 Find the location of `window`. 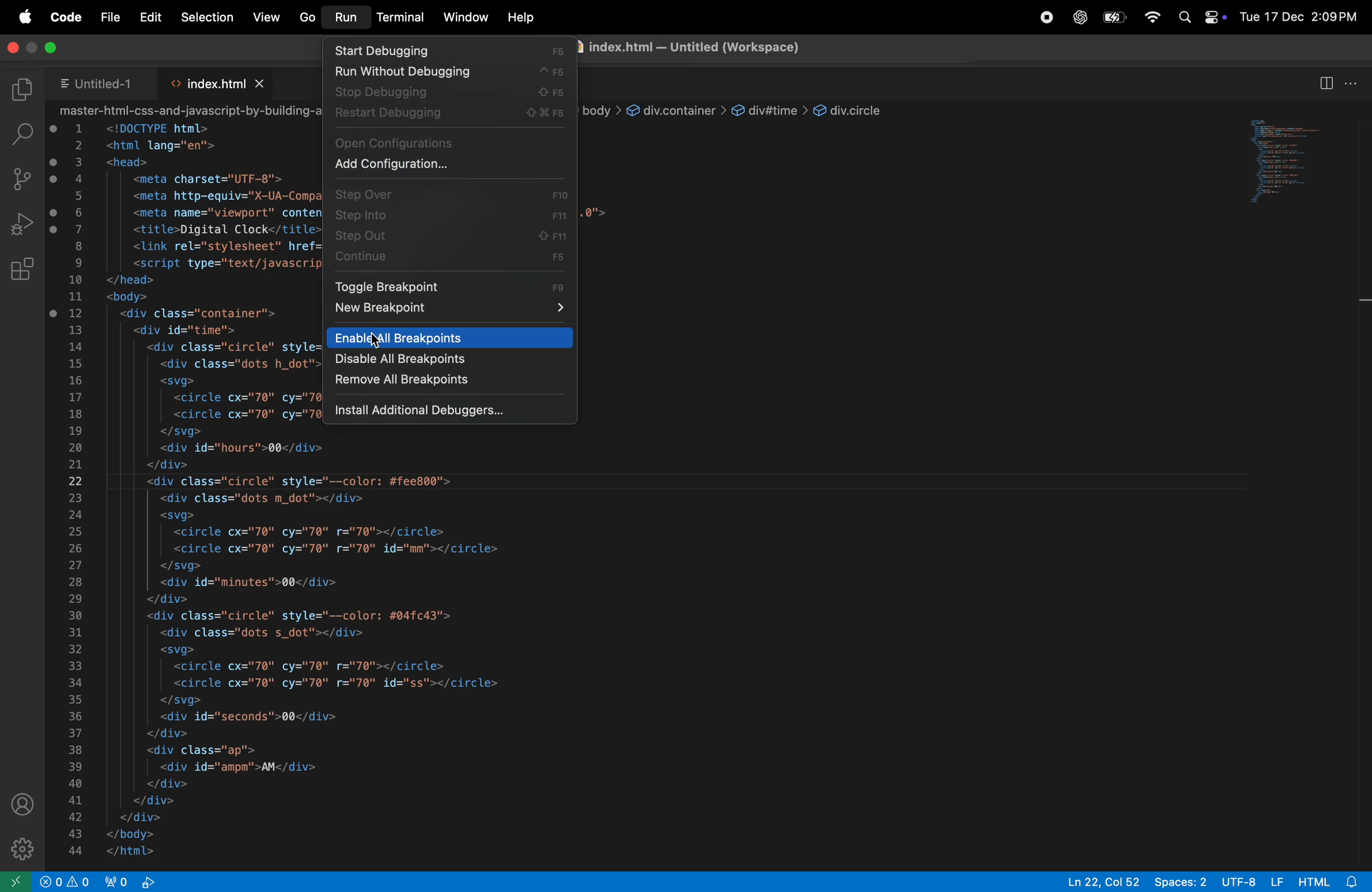

window is located at coordinates (465, 17).